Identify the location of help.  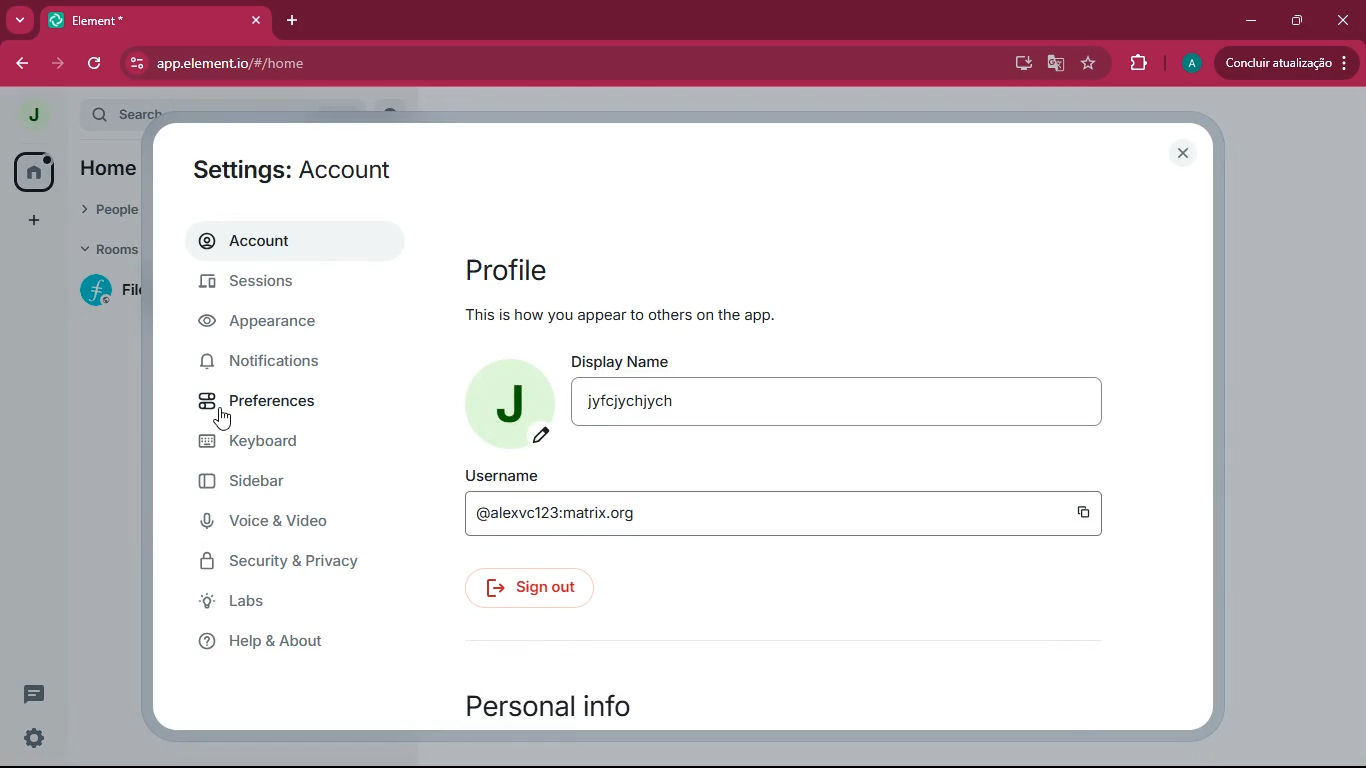
(294, 643).